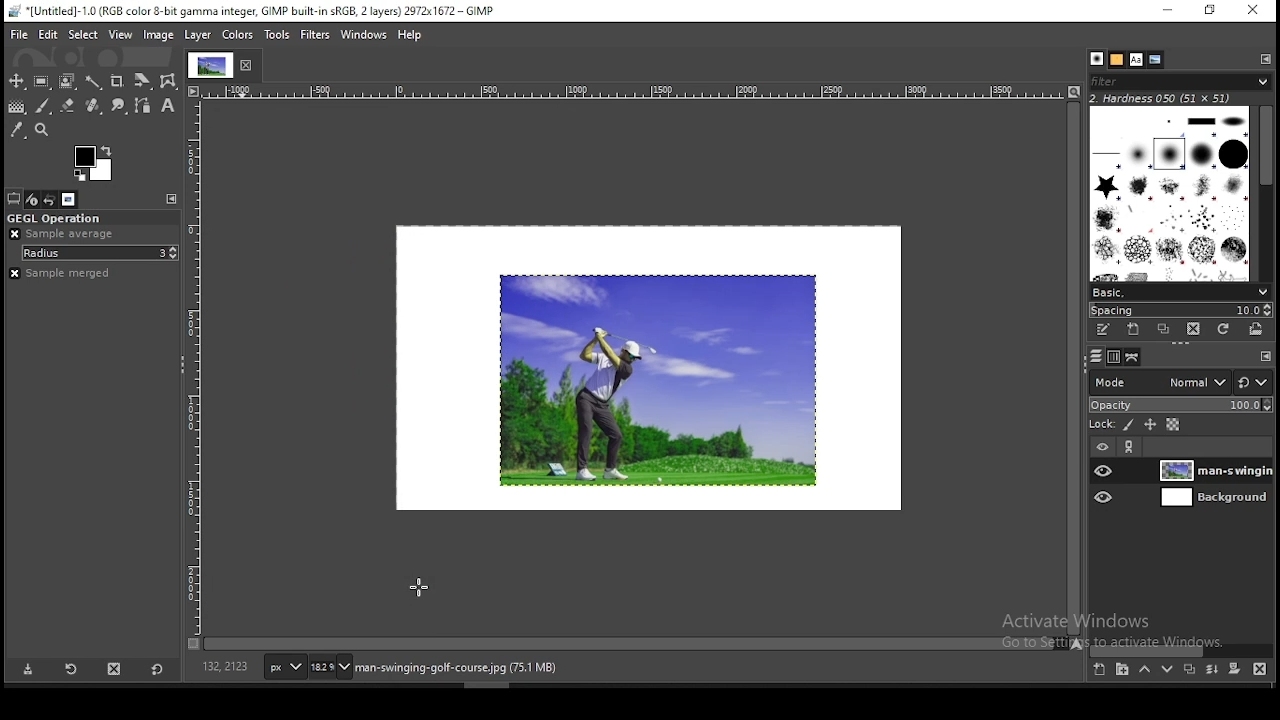 The height and width of the screenshot is (720, 1280). I want to click on fonts, so click(1135, 60).